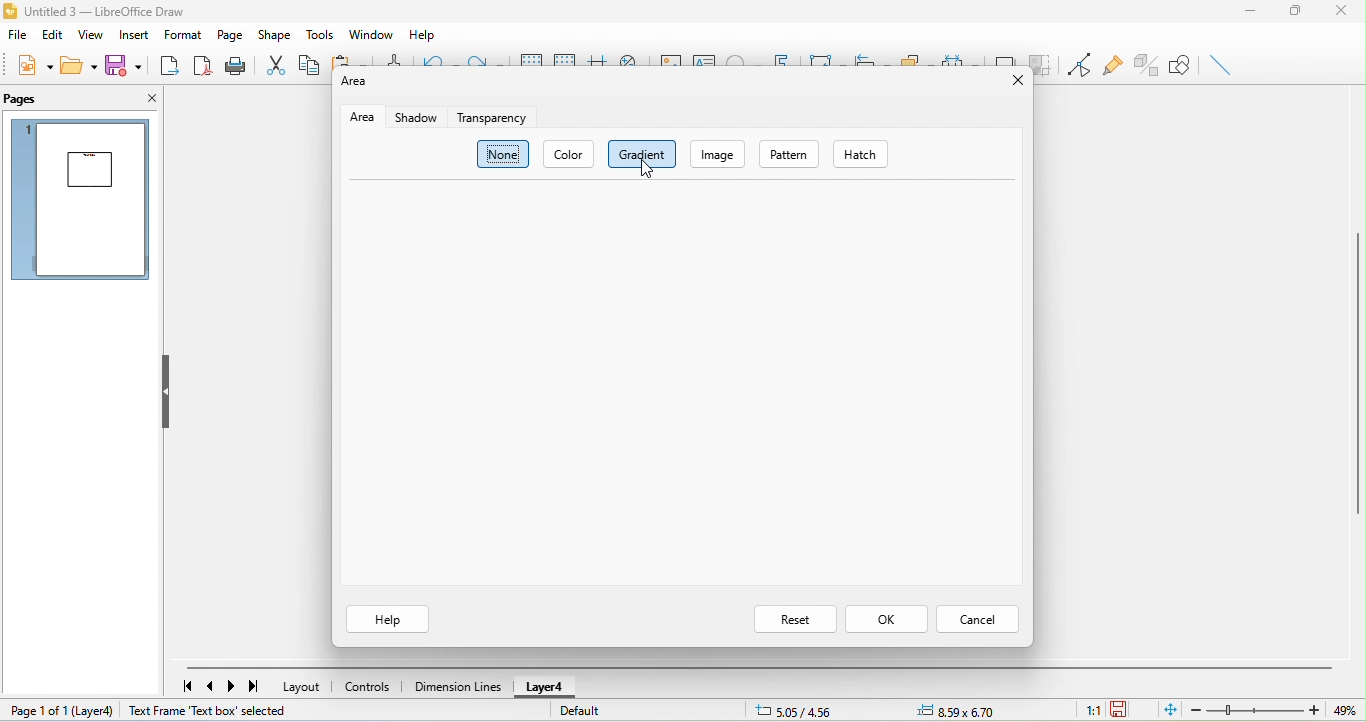  I want to click on previous page, so click(213, 687).